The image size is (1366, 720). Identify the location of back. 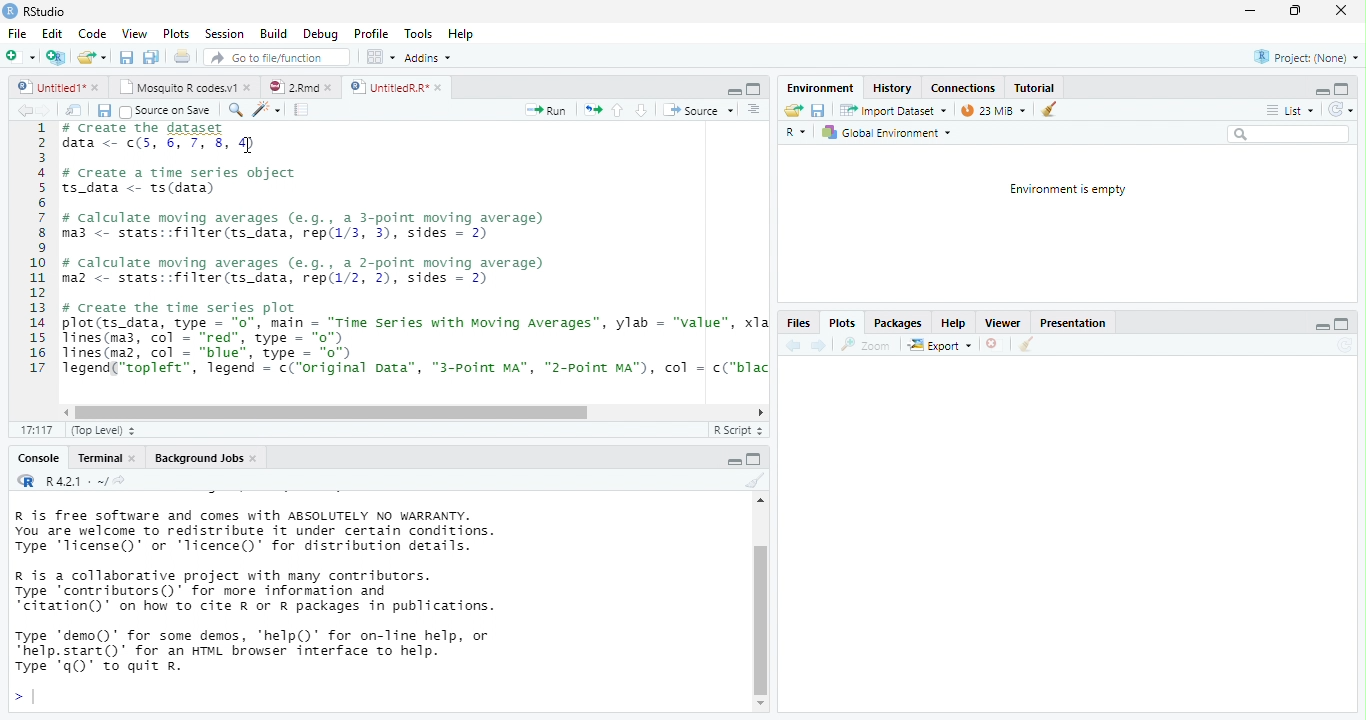
(24, 110).